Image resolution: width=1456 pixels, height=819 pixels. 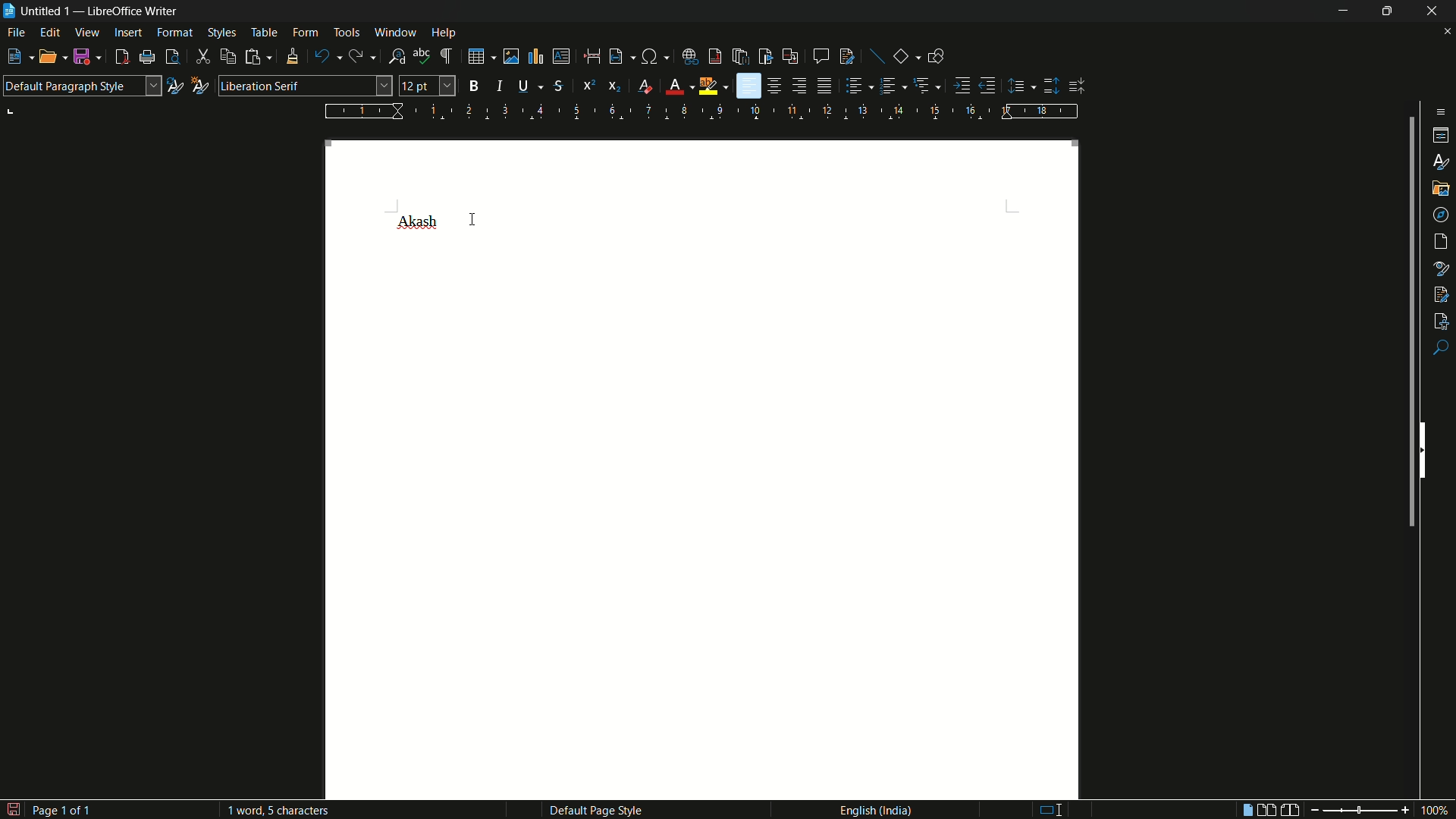 What do you see at coordinates (1442, 214) in the screenshot?
I see `navigator` at bounding box center [1442, 214].